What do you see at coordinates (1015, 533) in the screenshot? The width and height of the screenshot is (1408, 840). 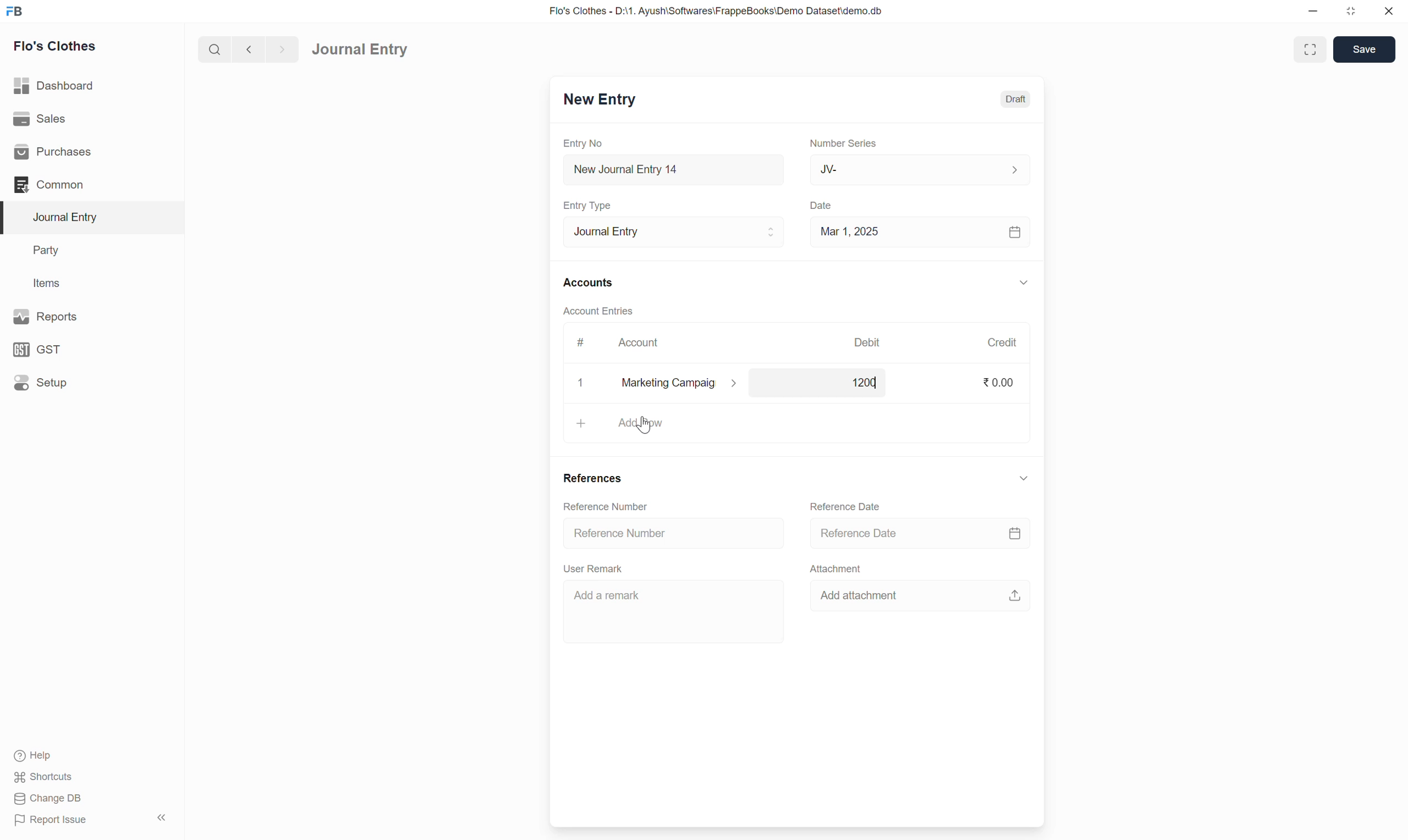 I see `calendar` at bounding box center [1015, 533].